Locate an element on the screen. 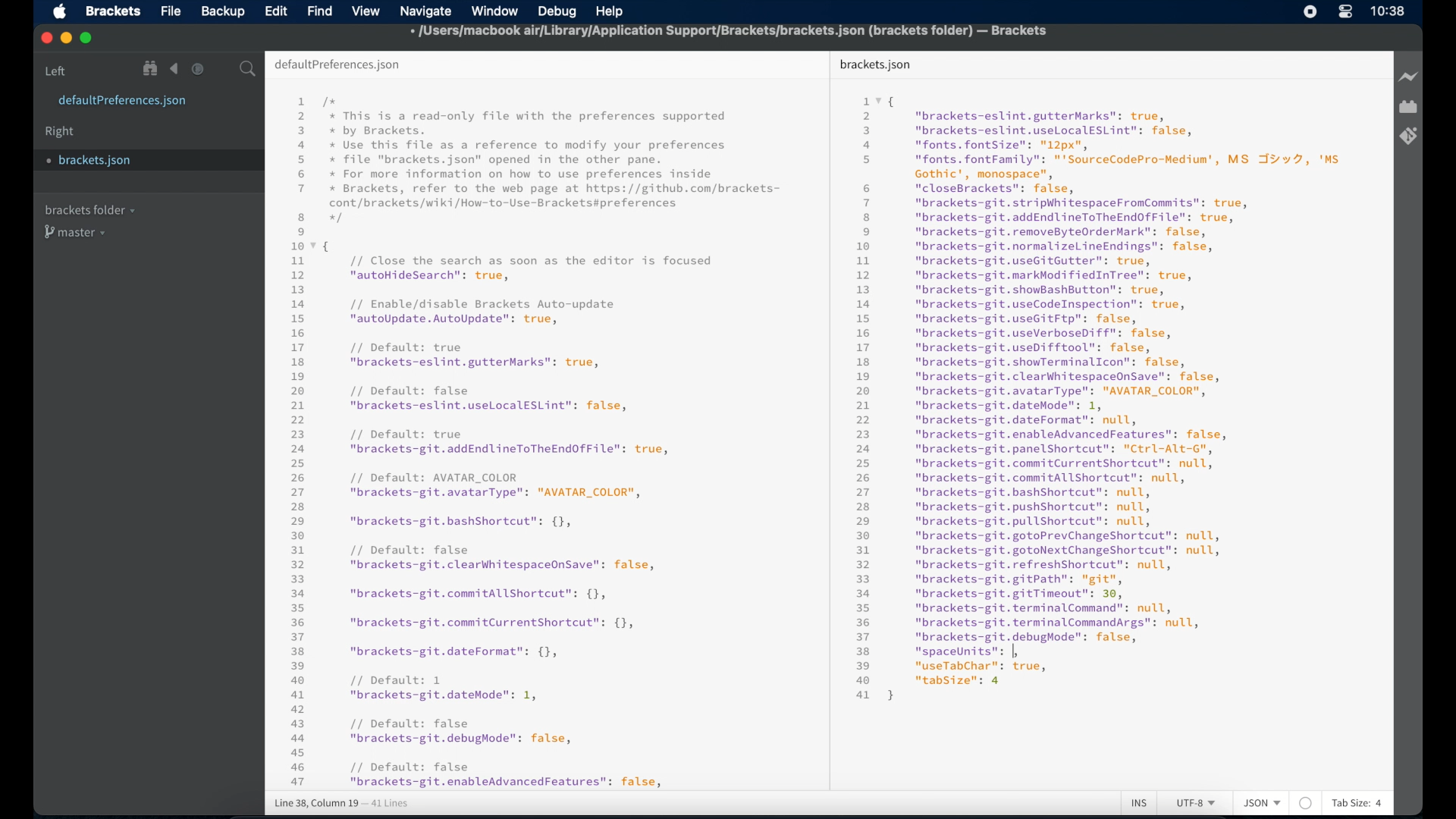 The height and width of the screenshot is (819, 1456). file name is located at coordinates (730, 33).